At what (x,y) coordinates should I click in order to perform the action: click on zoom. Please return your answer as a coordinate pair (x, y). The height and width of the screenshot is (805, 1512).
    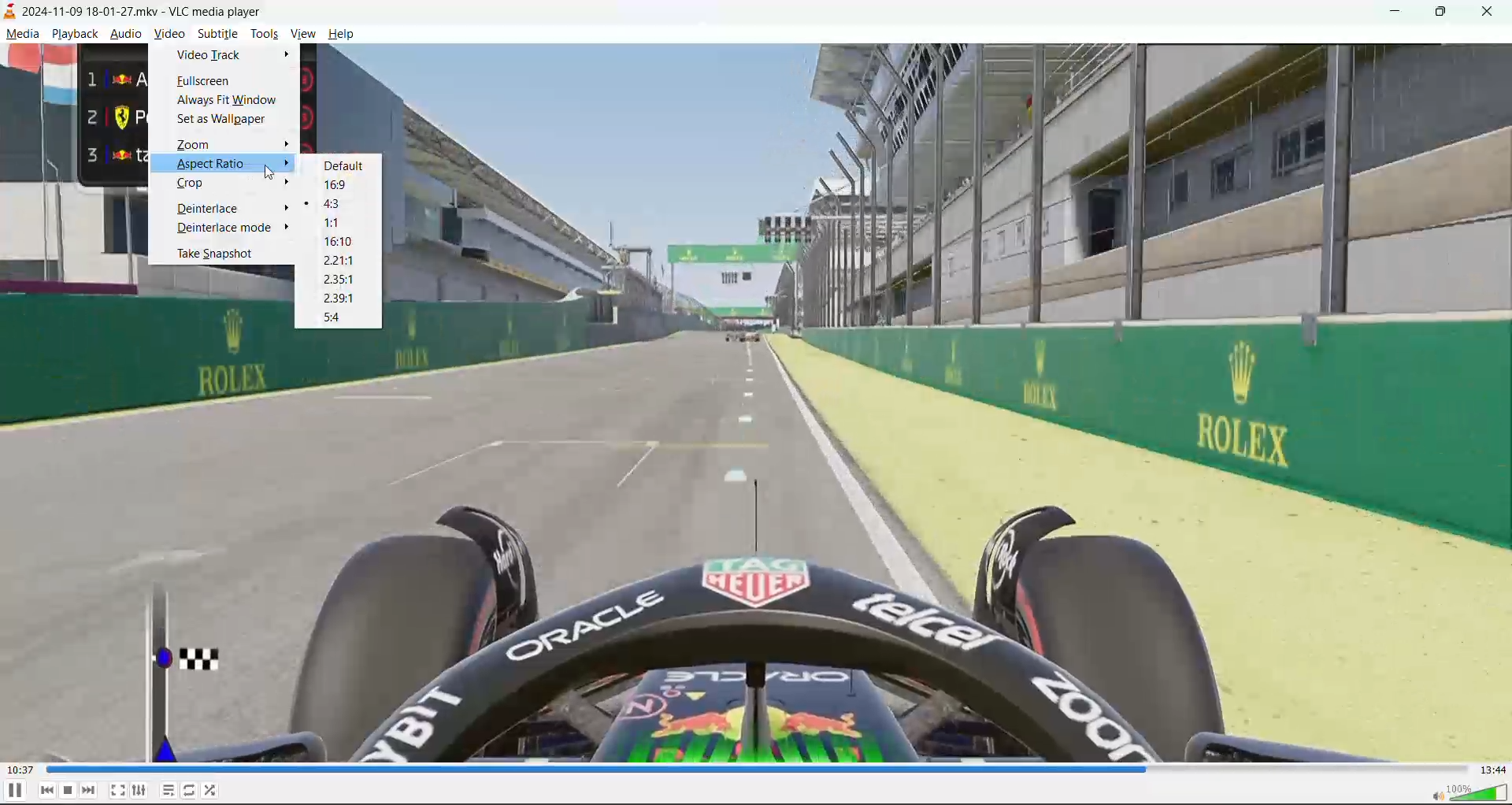
    Looking at the image, I should click on (231, 146).